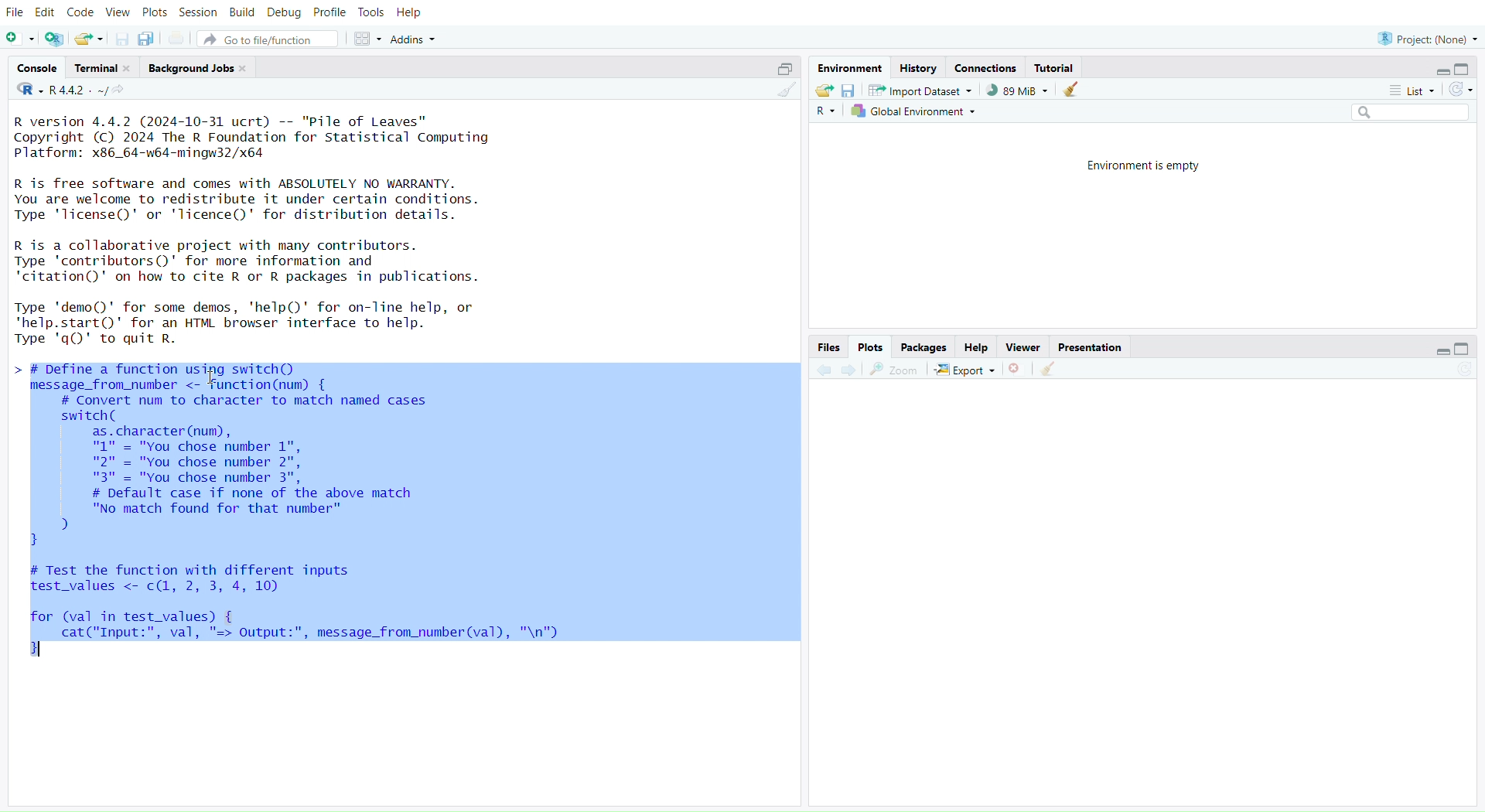 The width and height of the screenshot is (1485, 812). I want to click on Create a project, so click(55, 39).